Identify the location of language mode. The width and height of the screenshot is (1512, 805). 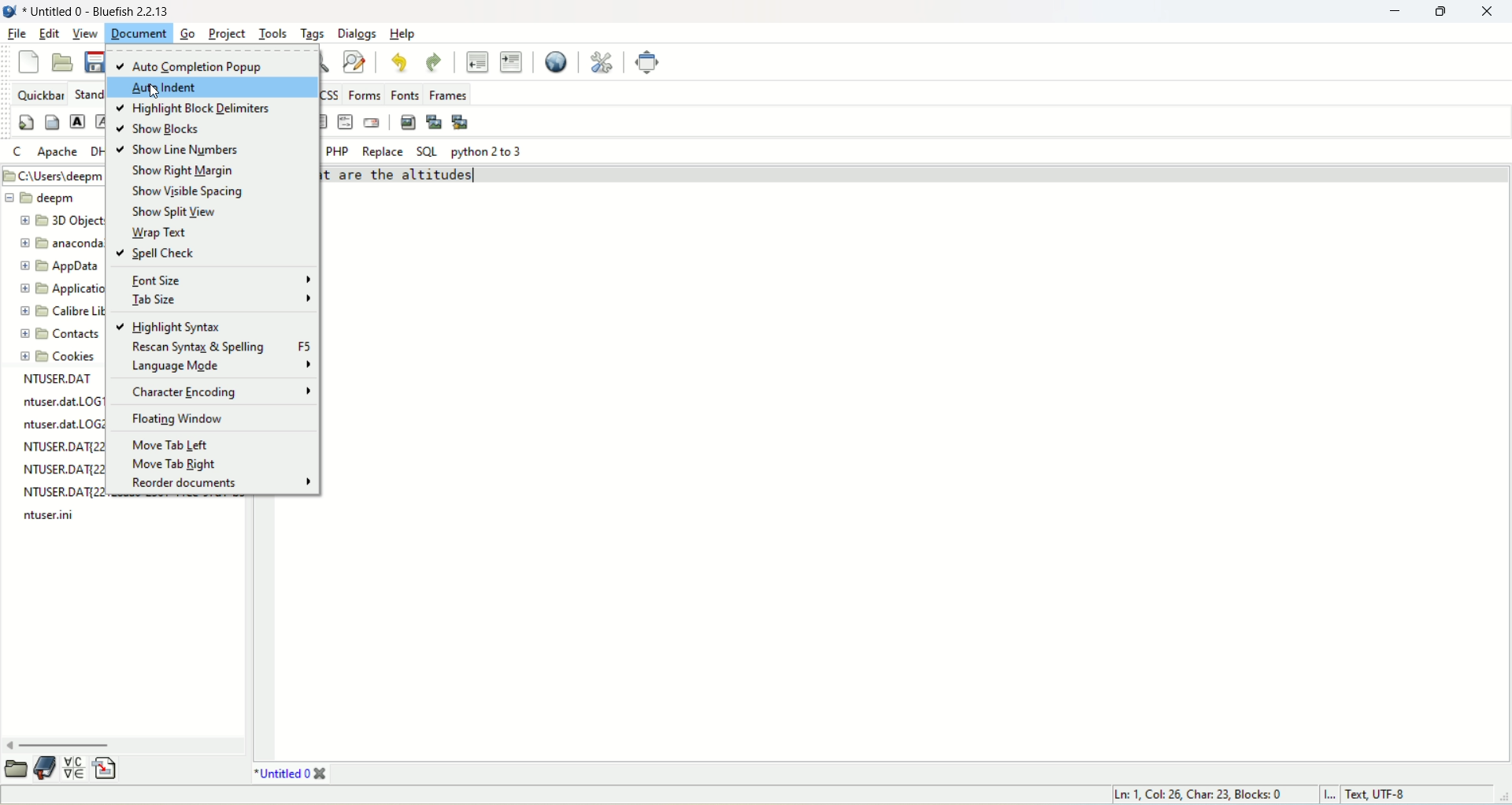
(216, 366).